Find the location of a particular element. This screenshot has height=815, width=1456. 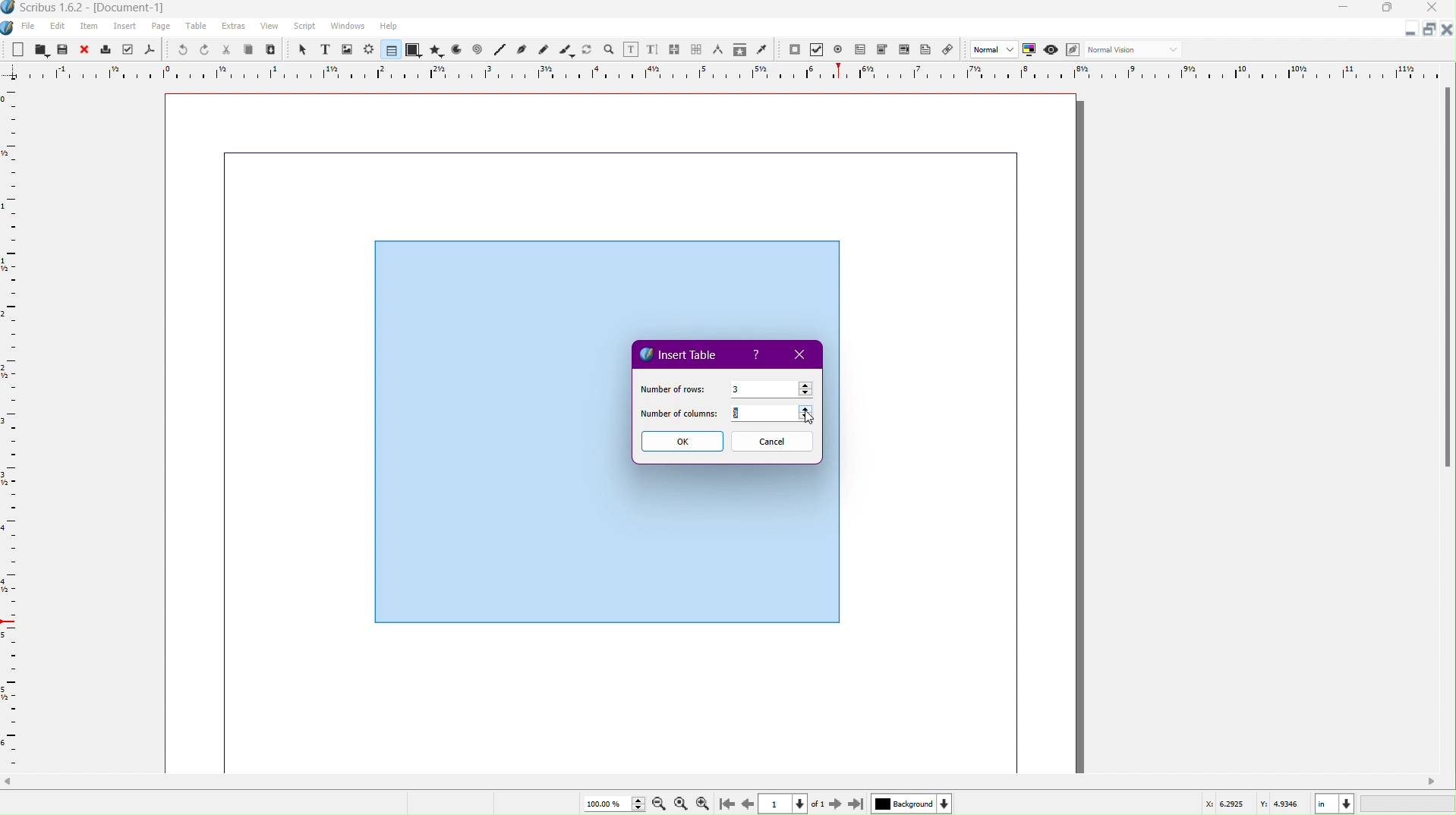

Background Color is located at coordinates (909, 803).